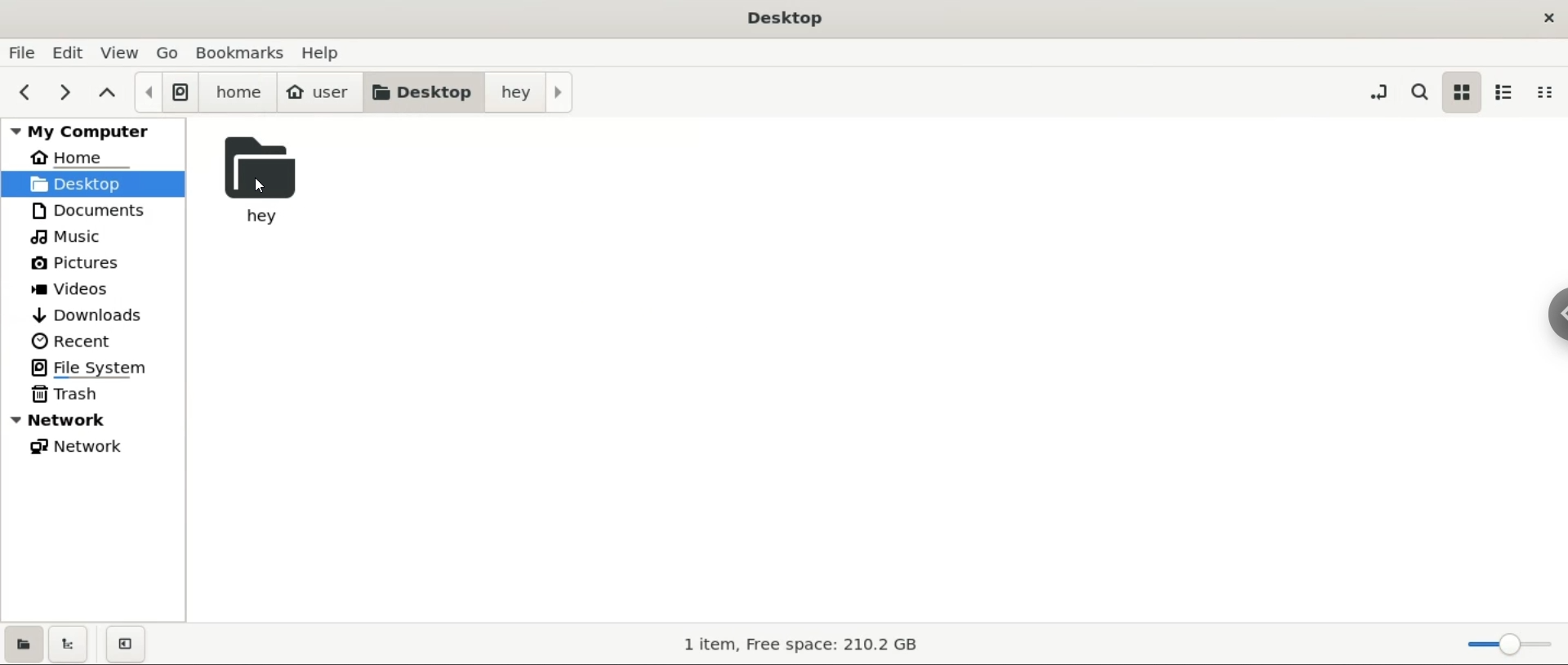 The image size is (1568, 665). What do you see at coordinates (1508, 91) in the screenshot?
I see `list view` at bounding box center [1508, 91].